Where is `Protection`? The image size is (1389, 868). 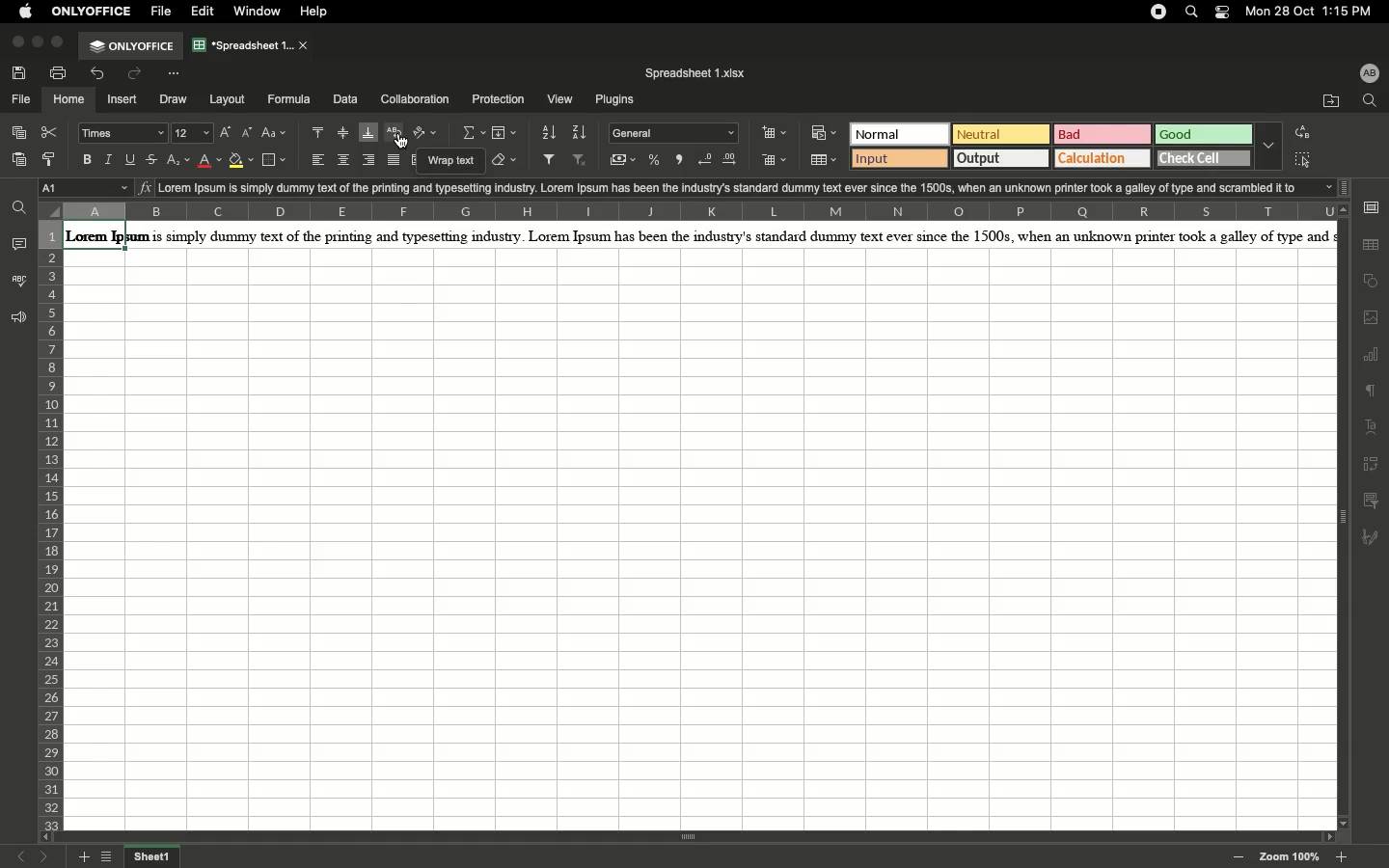 Protection is located at coordinates (499, 100).